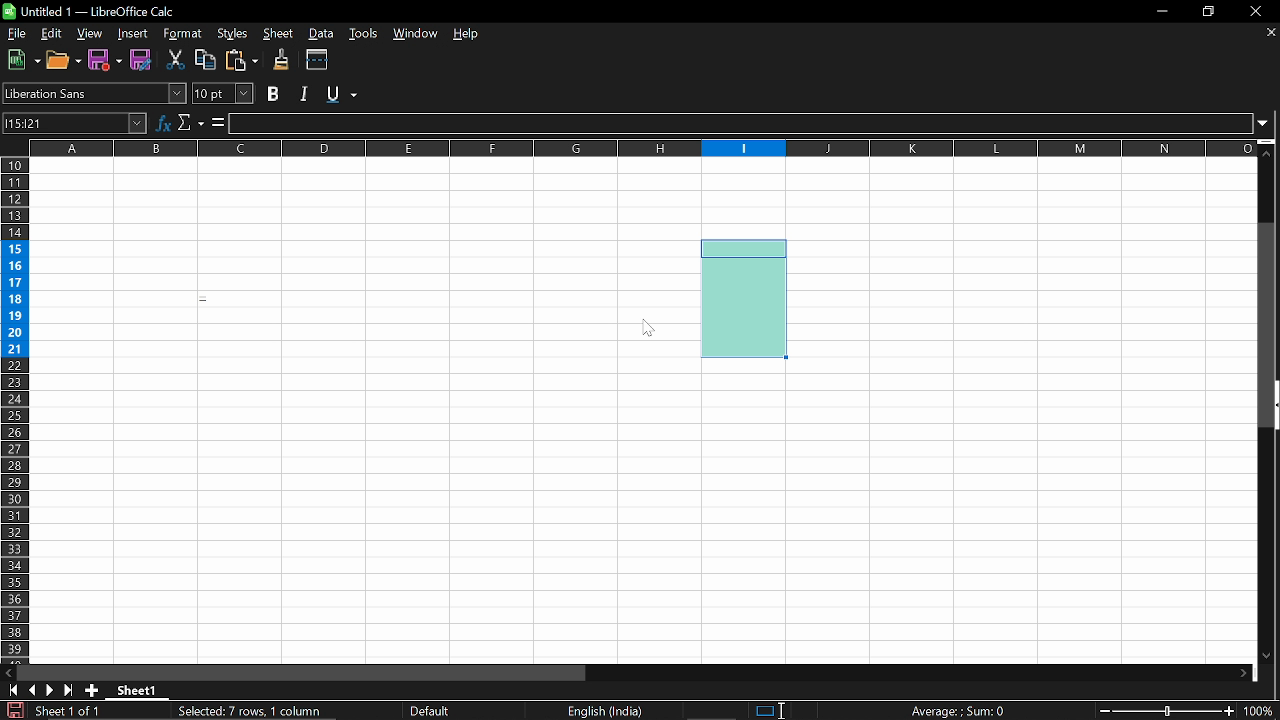 This screenshot has width=1280, height=720. Describe the element at coordinates (162, 123) in the screenshot. I see `Function wizard` at that location.